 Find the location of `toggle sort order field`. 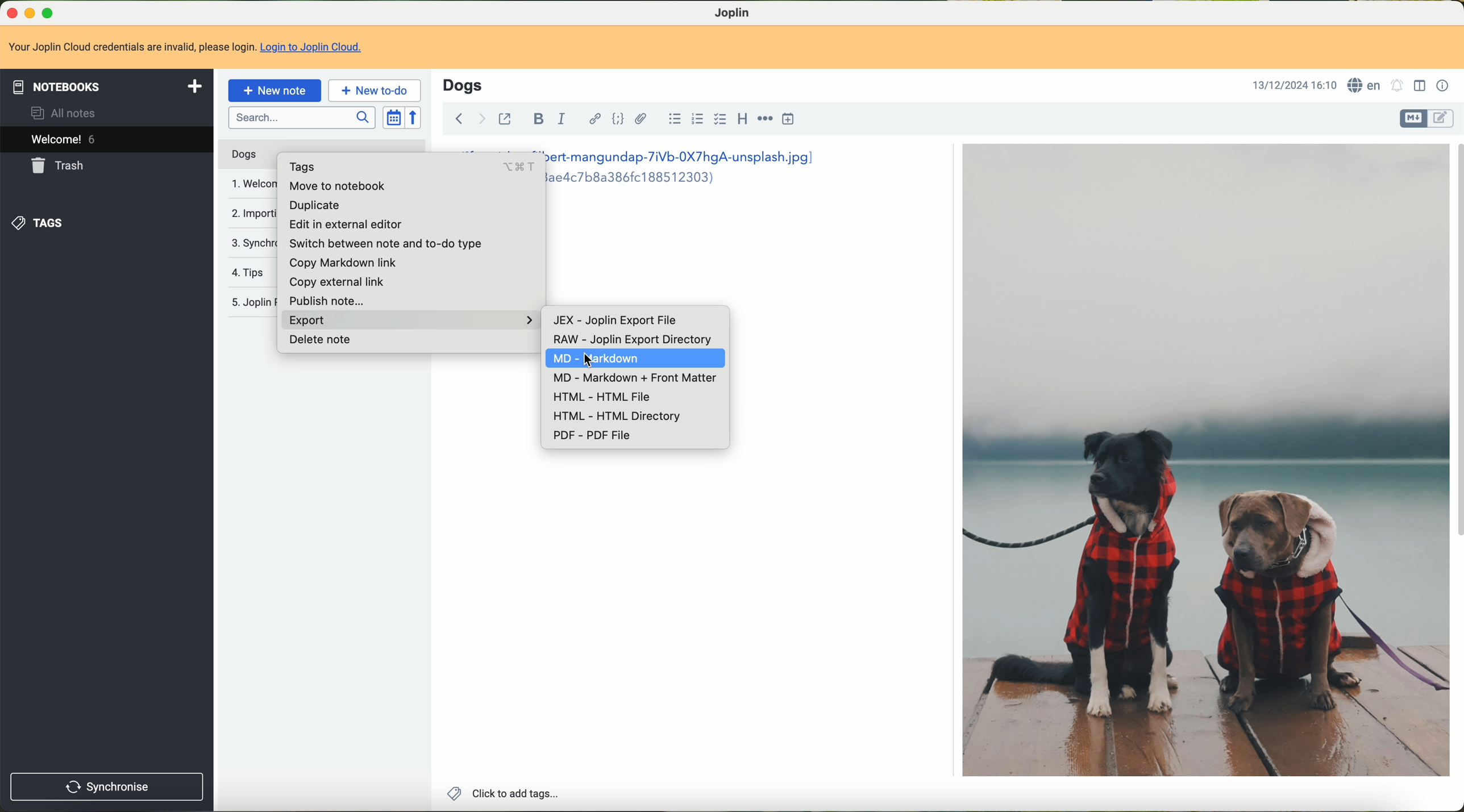

toggle sort order field is located at coordinates (393, 118).